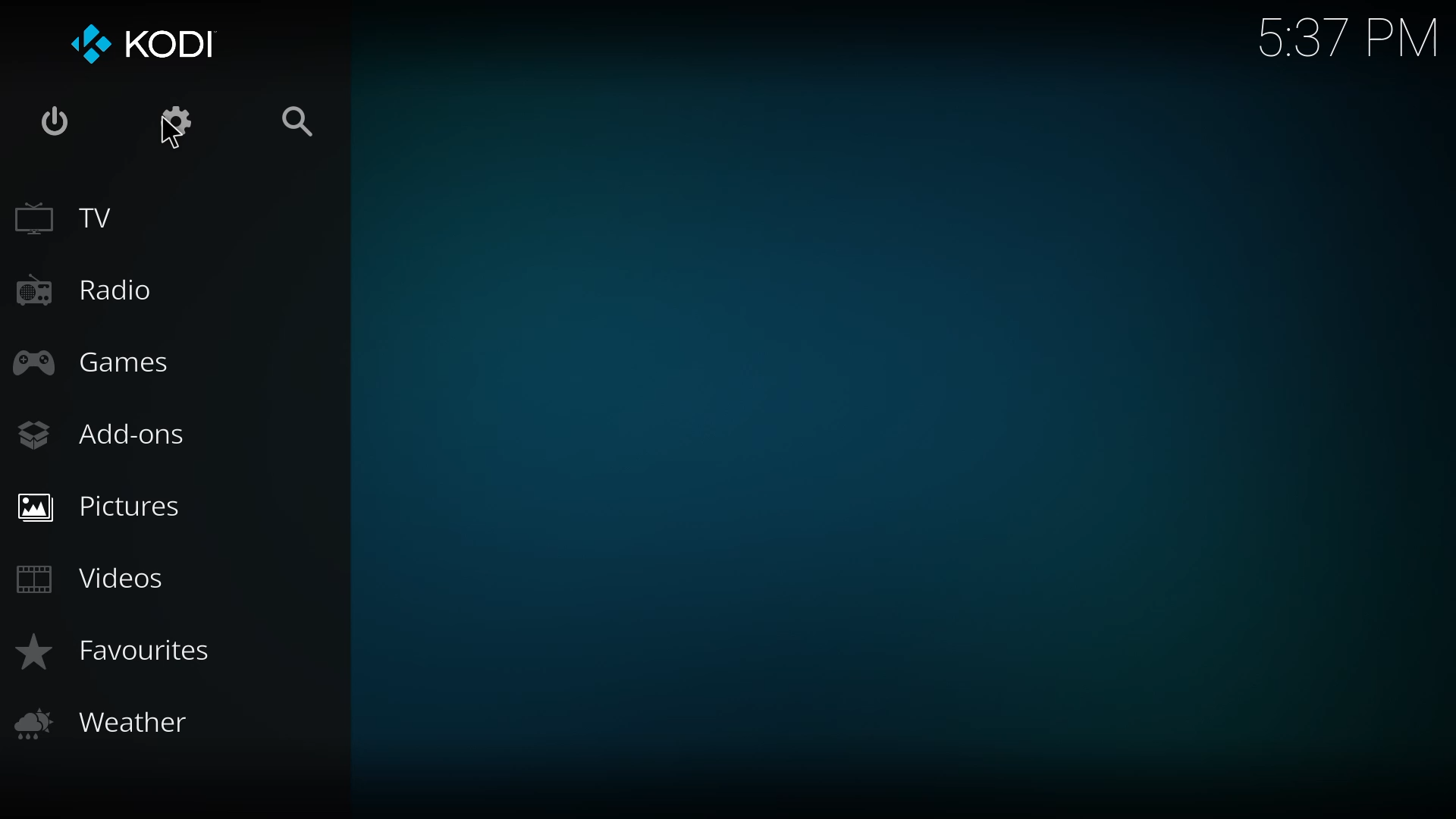  I want to click on favorites, so click(121, 653).